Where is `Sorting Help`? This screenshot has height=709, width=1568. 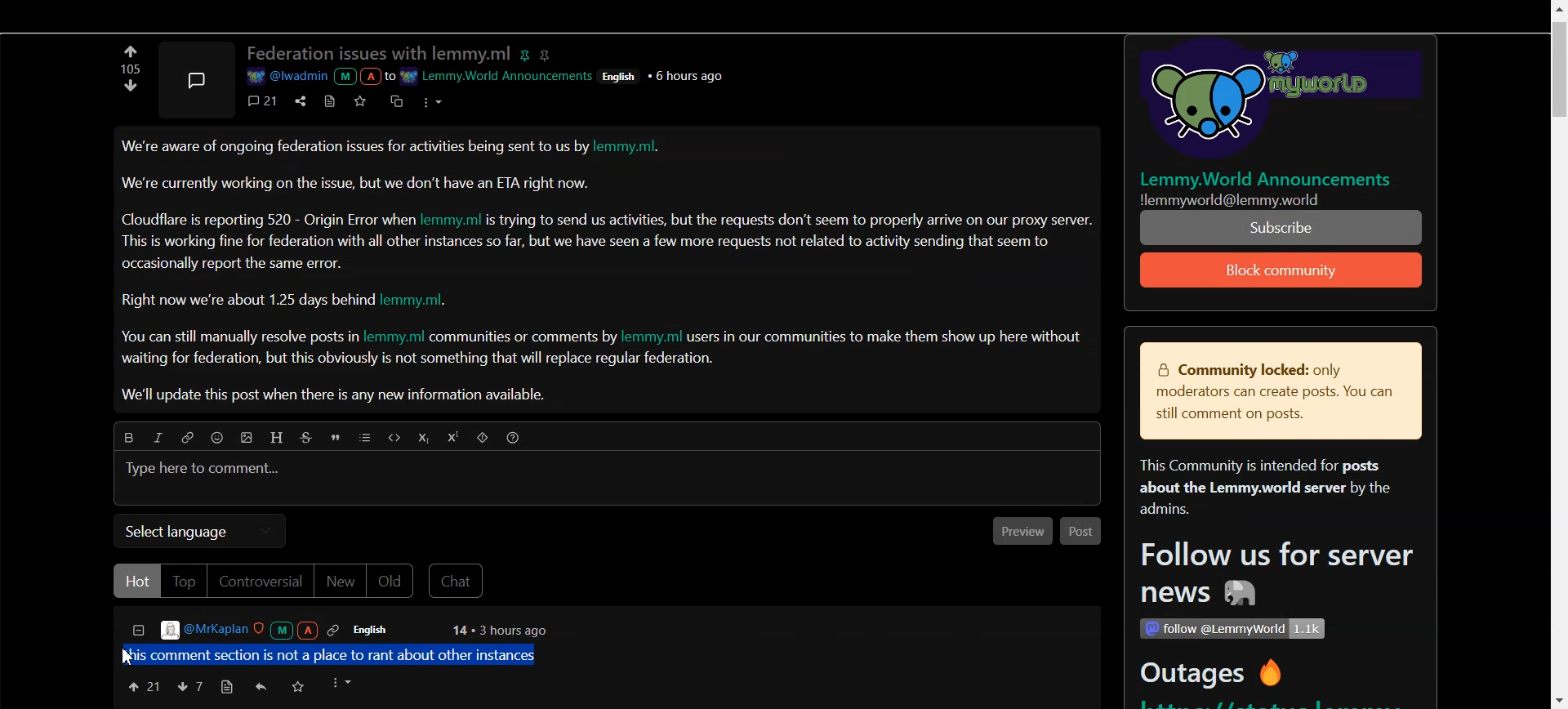
Sorting Help is located at coordinates (514, 437).